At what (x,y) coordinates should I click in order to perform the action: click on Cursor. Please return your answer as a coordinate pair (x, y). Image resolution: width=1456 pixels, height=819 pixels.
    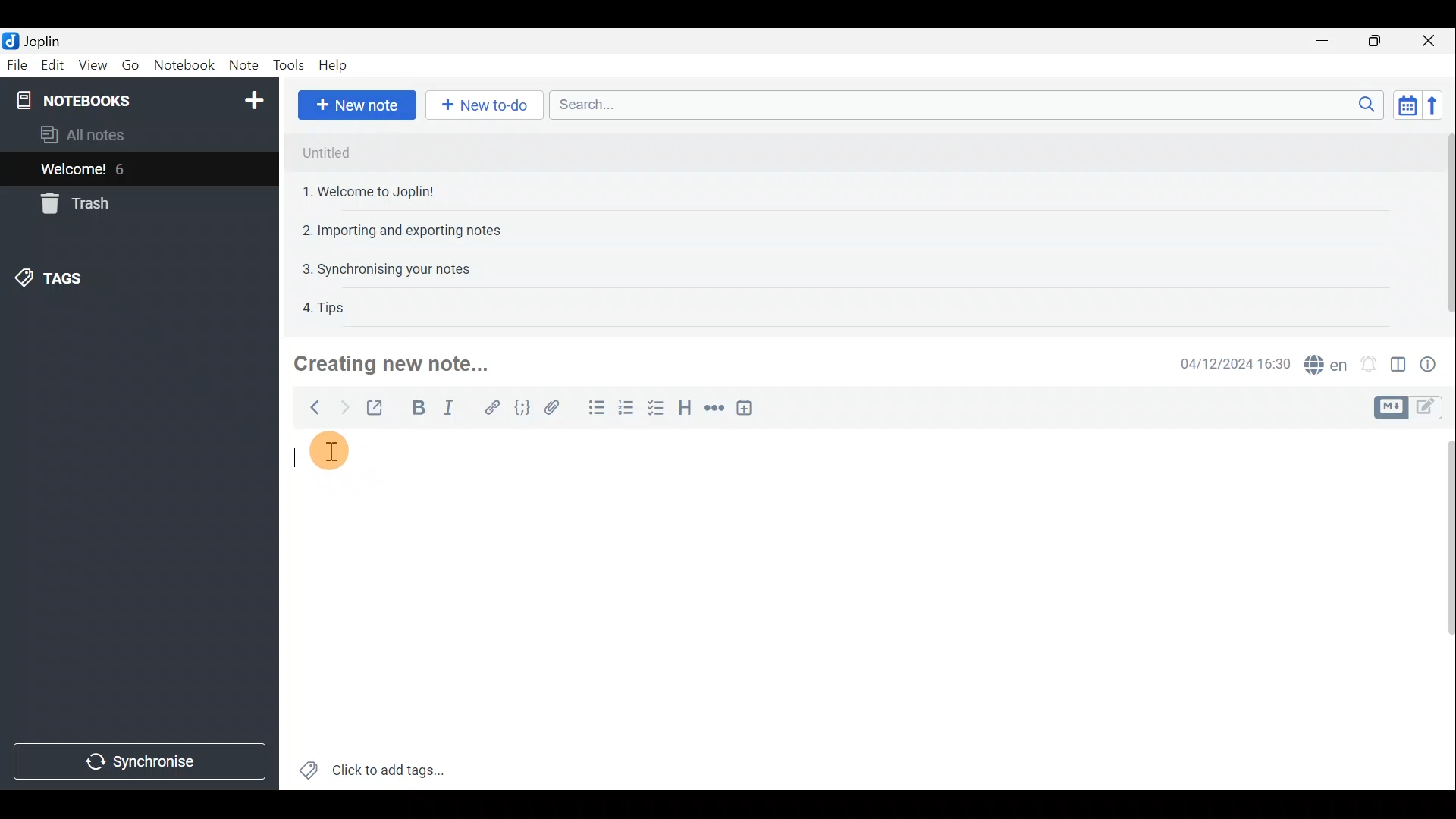
    Looking at the image, I should click on (327, 456).